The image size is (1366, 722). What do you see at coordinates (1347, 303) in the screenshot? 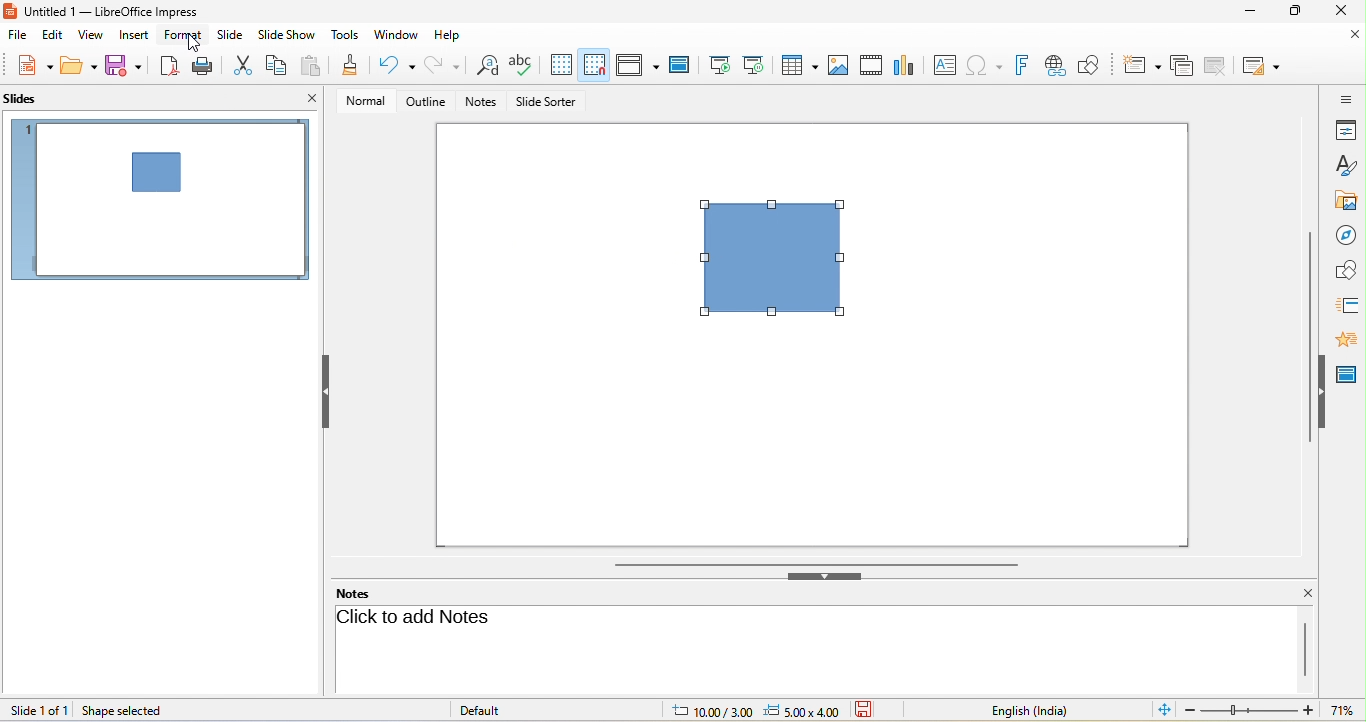
I see `slide transition` at bounding box center [1347, 303].